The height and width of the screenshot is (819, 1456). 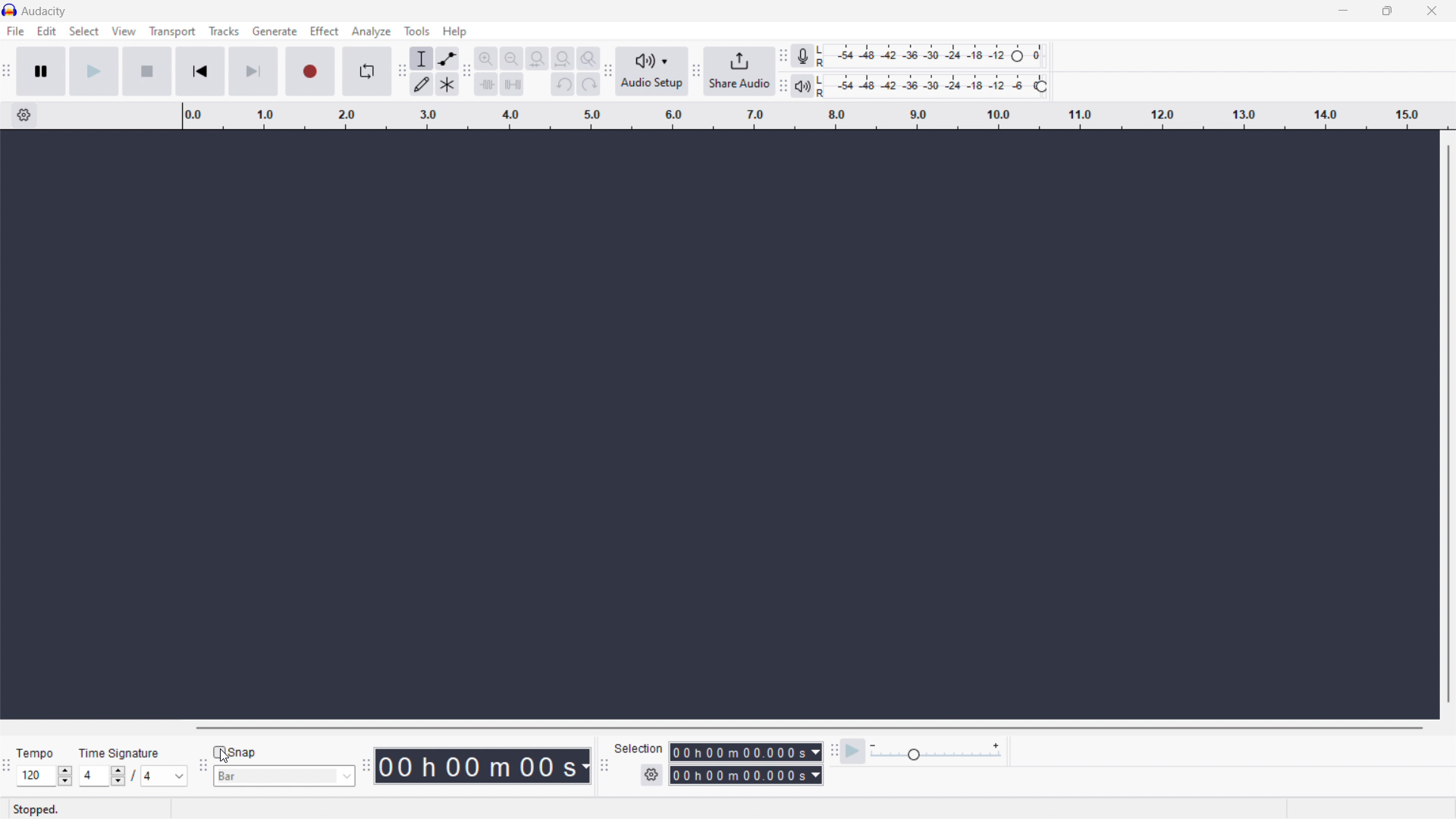 I want to click on enable looping, so click(x=366, y=71).